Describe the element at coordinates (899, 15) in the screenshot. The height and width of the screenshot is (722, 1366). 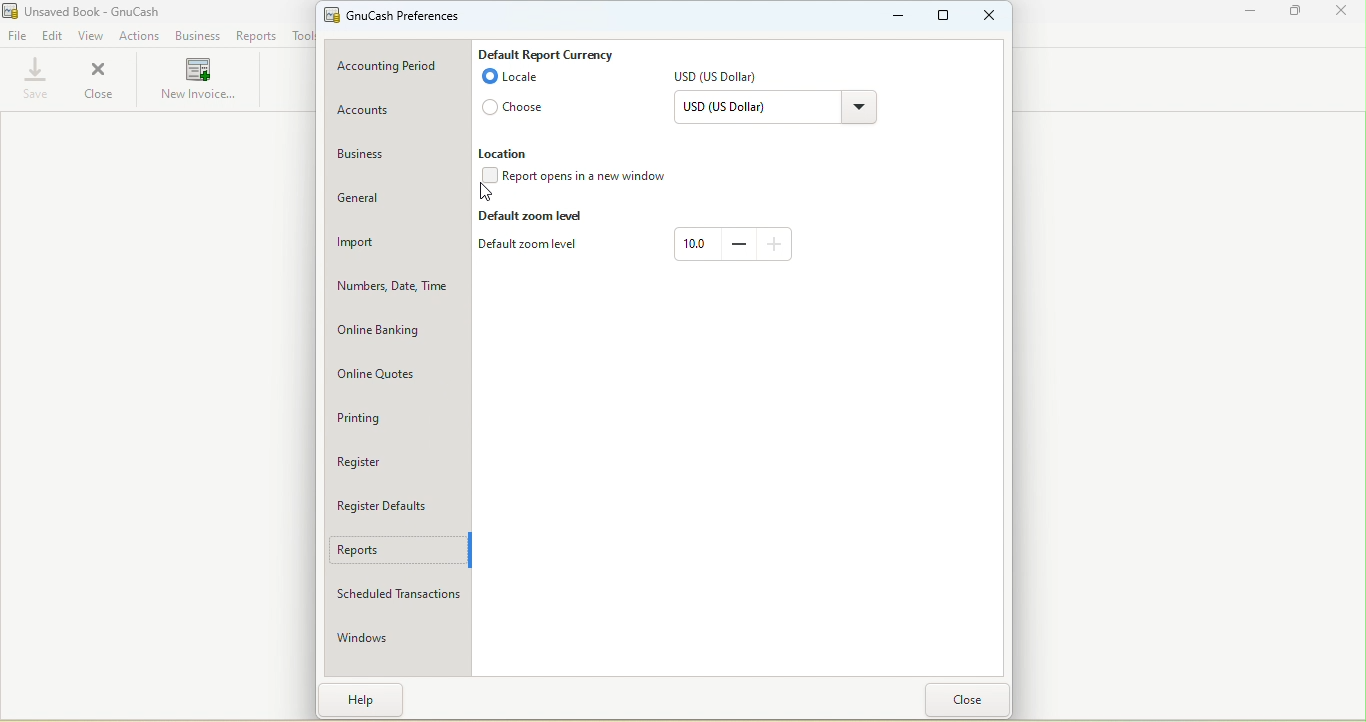
I see `Minimize` at that location.